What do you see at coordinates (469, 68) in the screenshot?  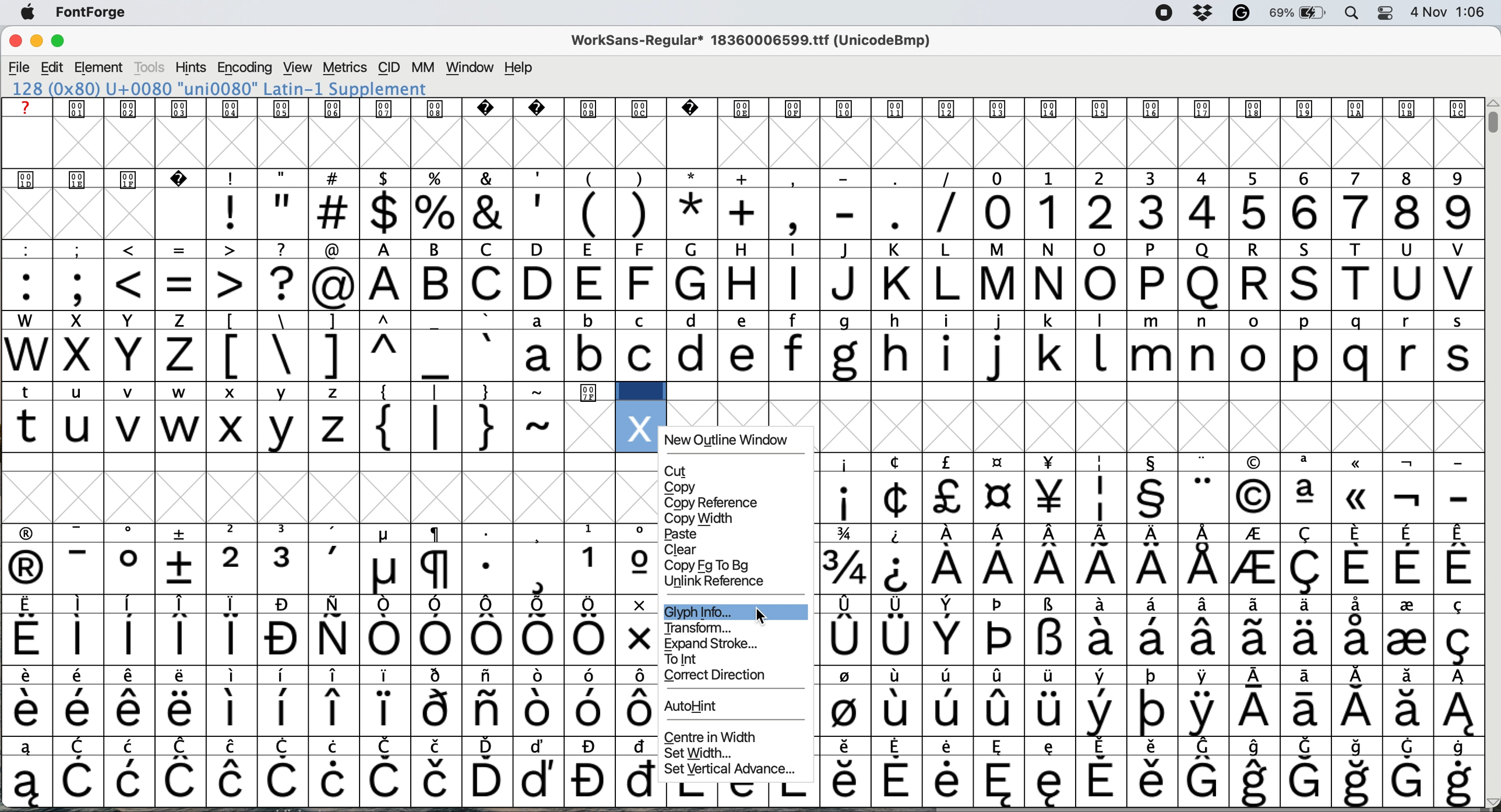 I see `window` at bounding box center [469, 68].